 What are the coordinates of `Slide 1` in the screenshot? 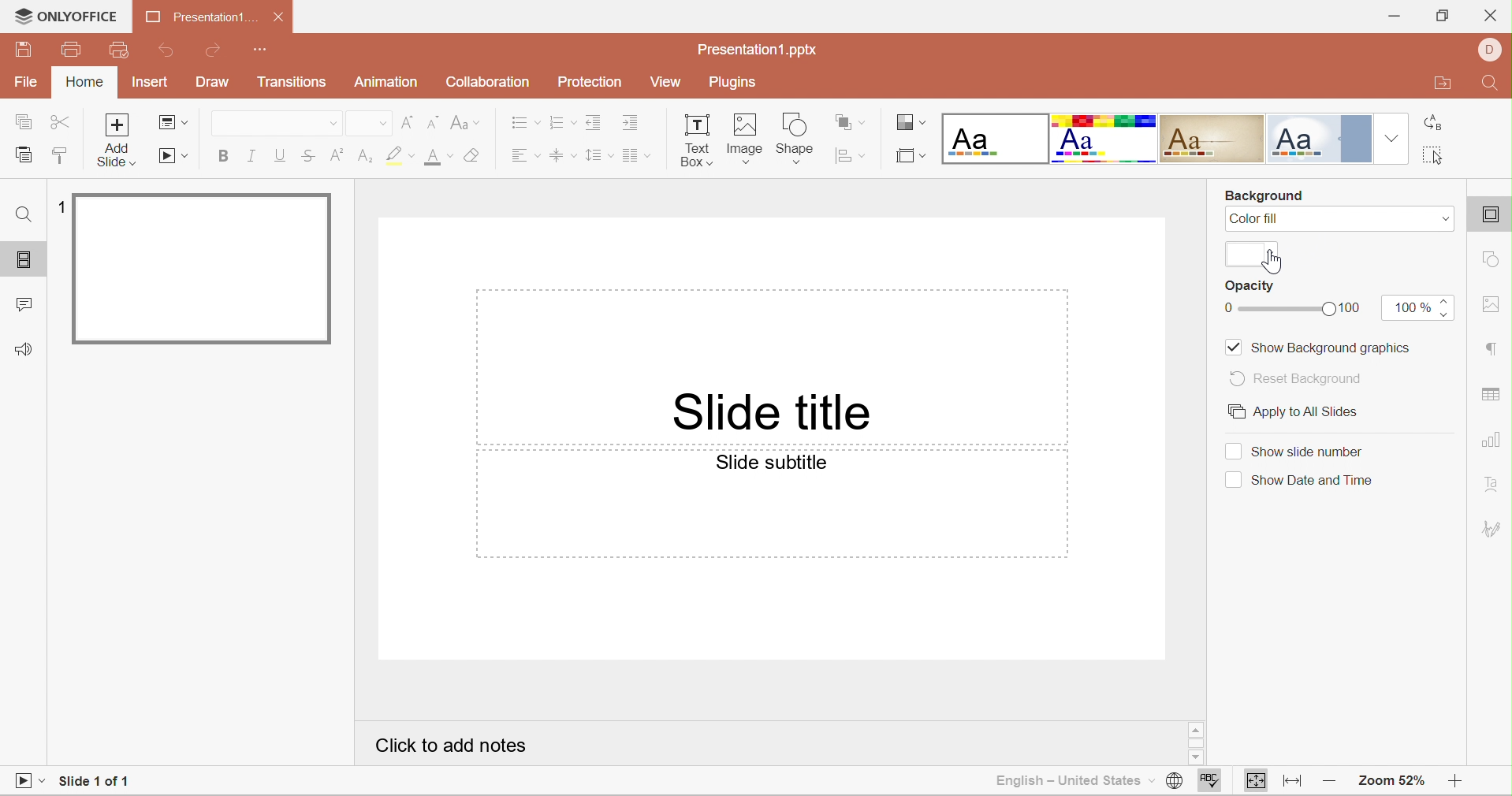 It's located at (205, 270).